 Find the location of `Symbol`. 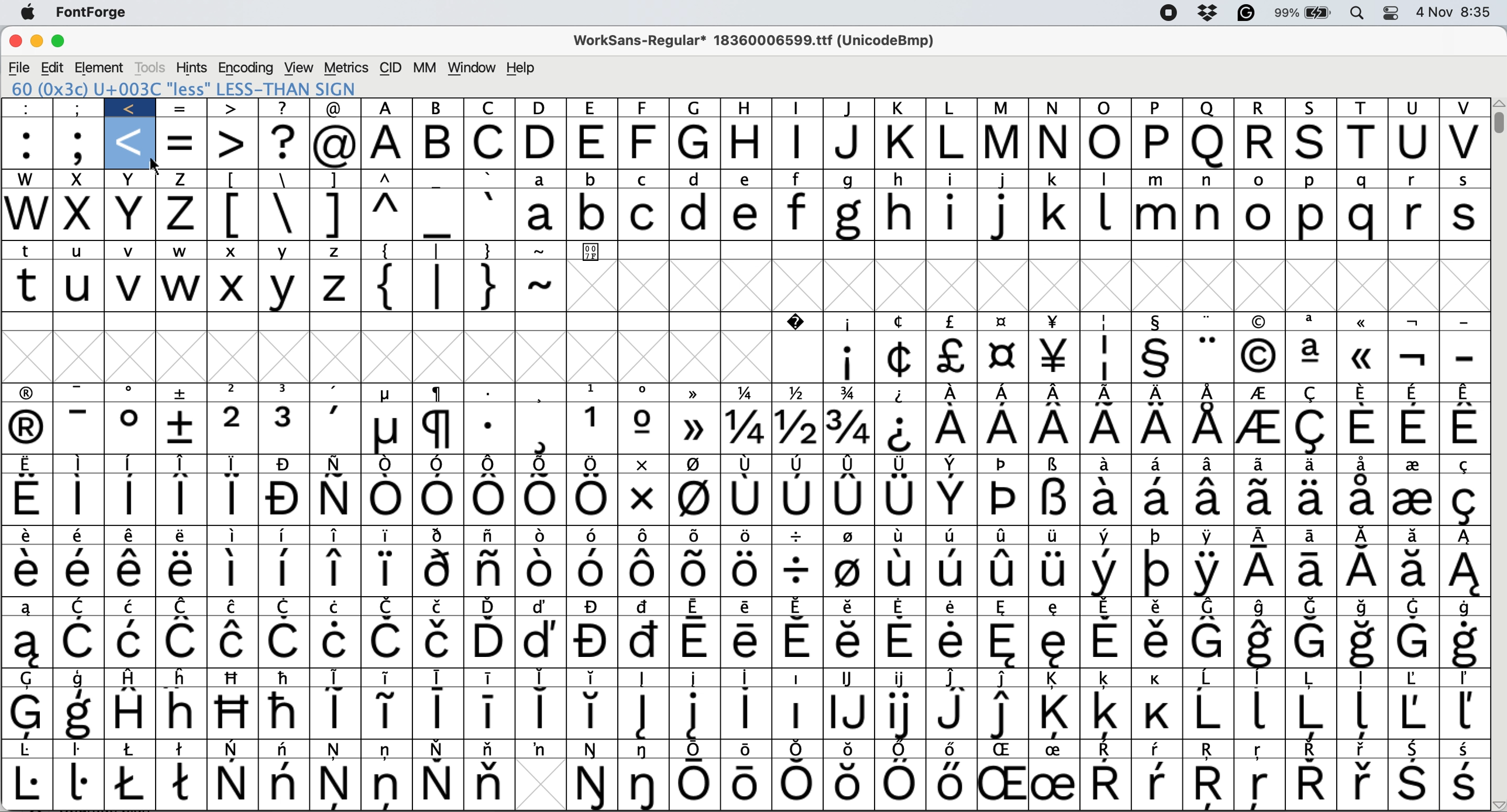

Symbol is located at coordinates (1158, 537).